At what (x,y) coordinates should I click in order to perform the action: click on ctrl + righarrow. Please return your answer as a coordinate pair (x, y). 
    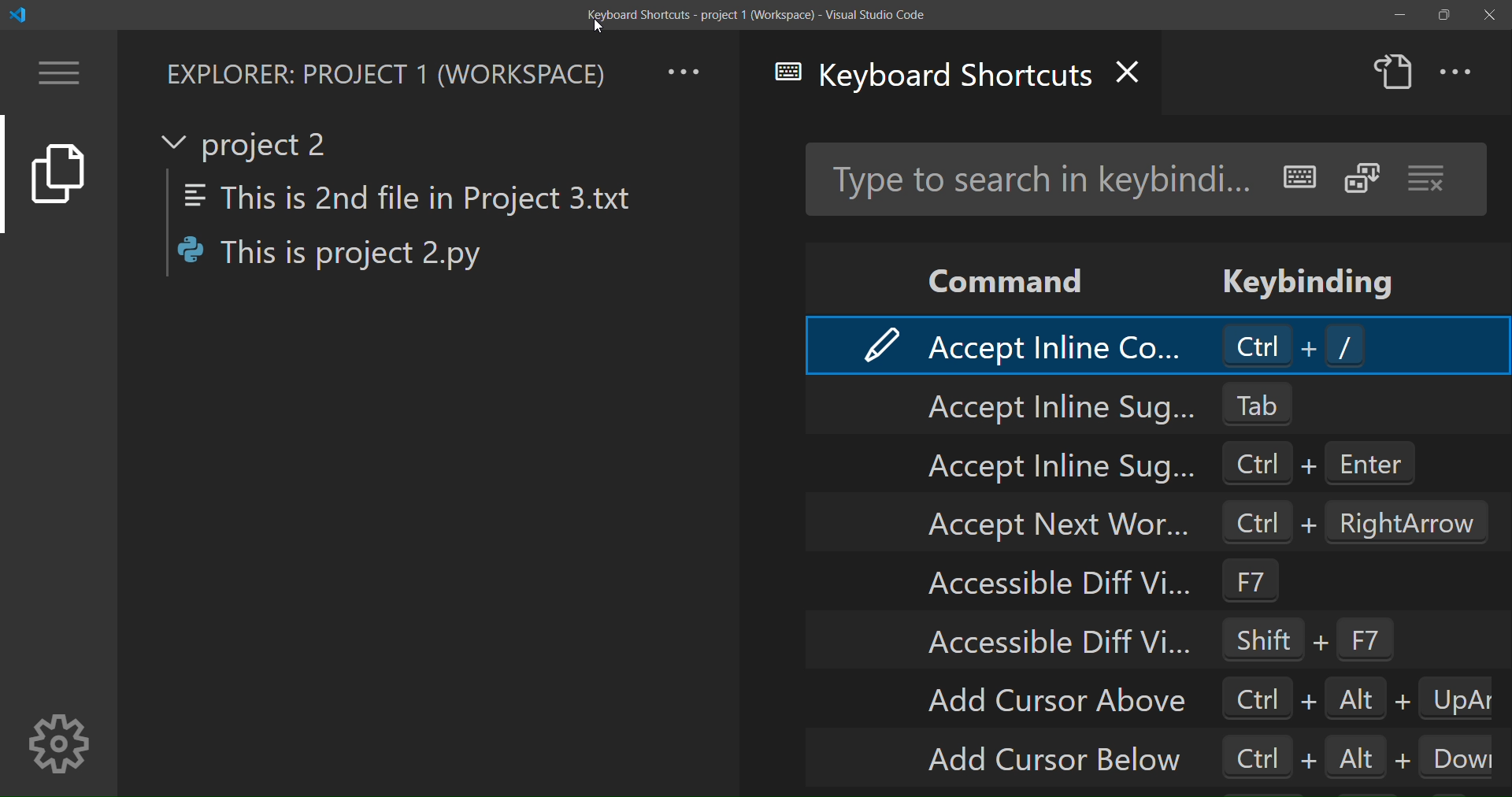
    Looking at the image, I should click on (1355, 521).